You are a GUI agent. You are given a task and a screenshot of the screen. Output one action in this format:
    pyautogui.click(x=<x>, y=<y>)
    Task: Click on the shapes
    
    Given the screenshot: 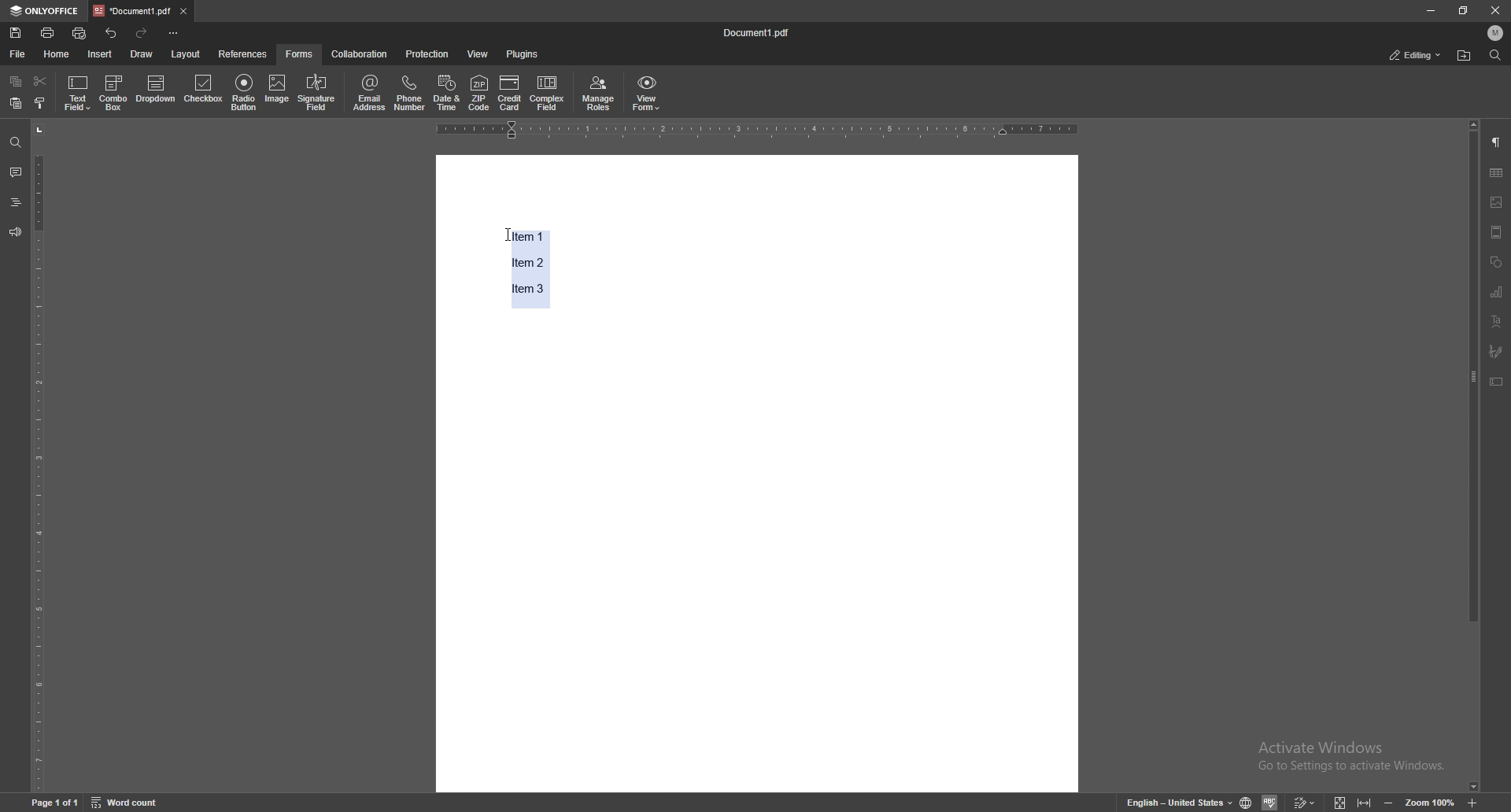 What is the action you would take?
    pyautogui.click(x=1498, y=262)
    